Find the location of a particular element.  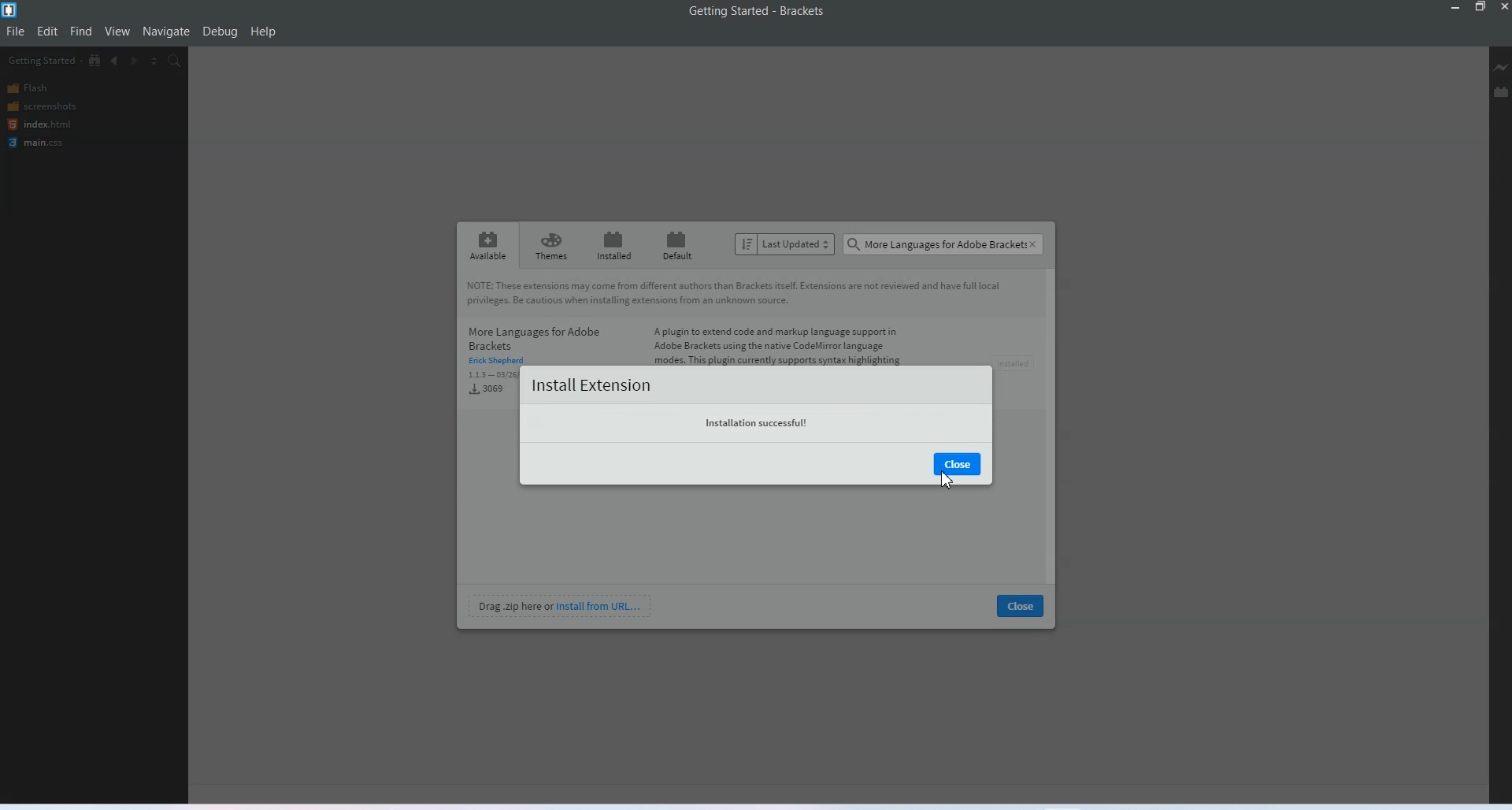

File is located at coordinates (15, 32).